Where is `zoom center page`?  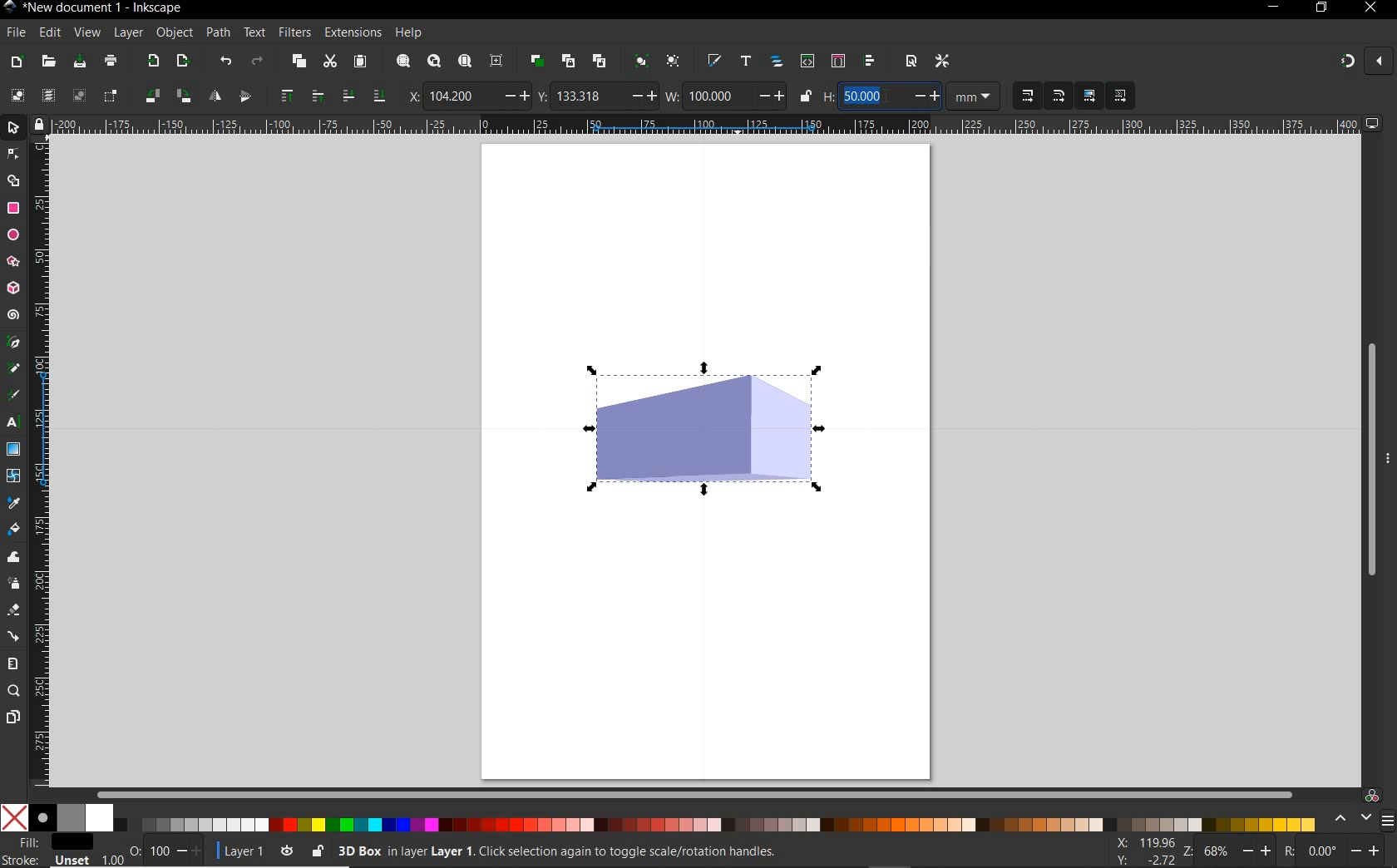
zoom center page is located at coordinates (496, 60).